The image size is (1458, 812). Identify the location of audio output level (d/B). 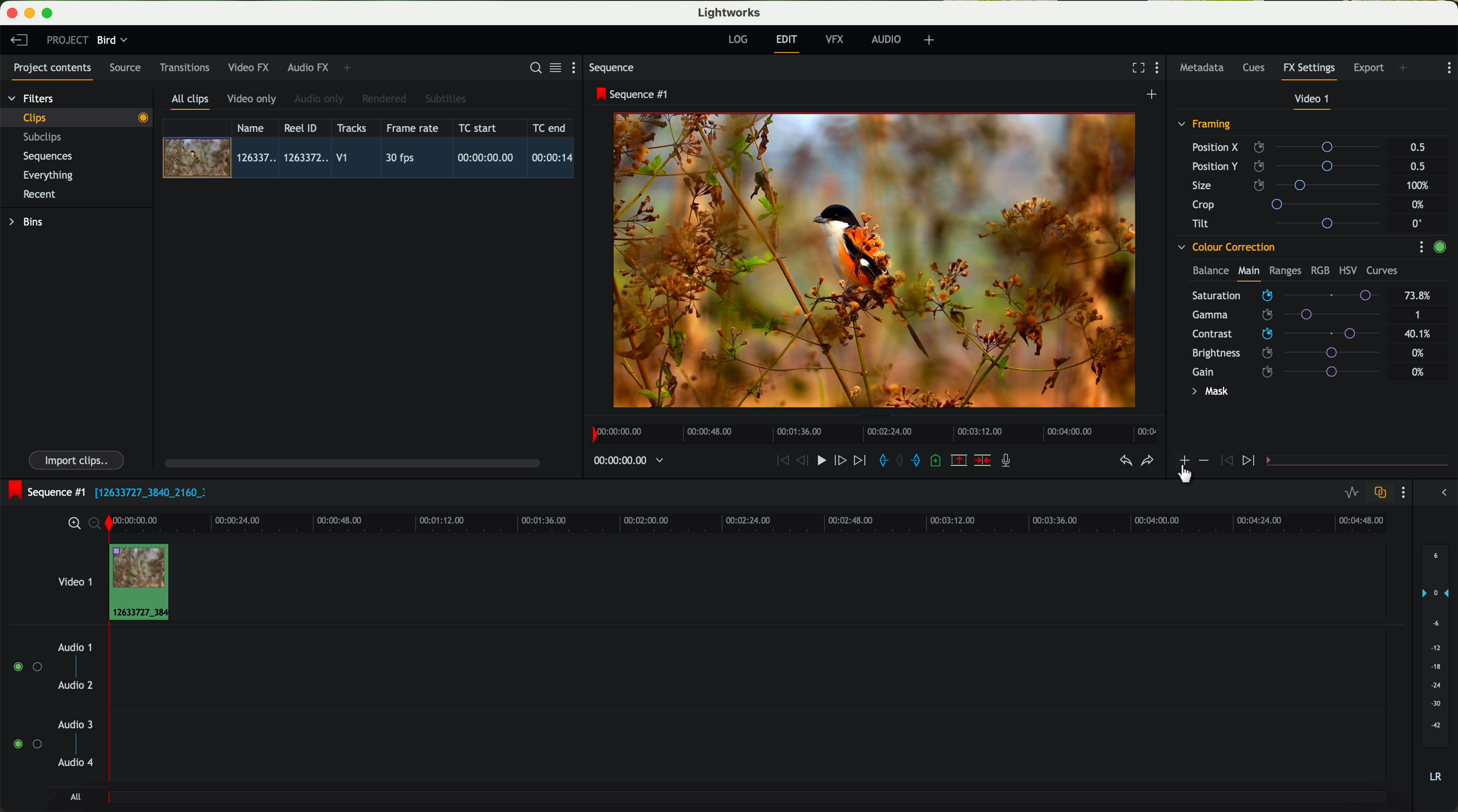
(1436, 667).